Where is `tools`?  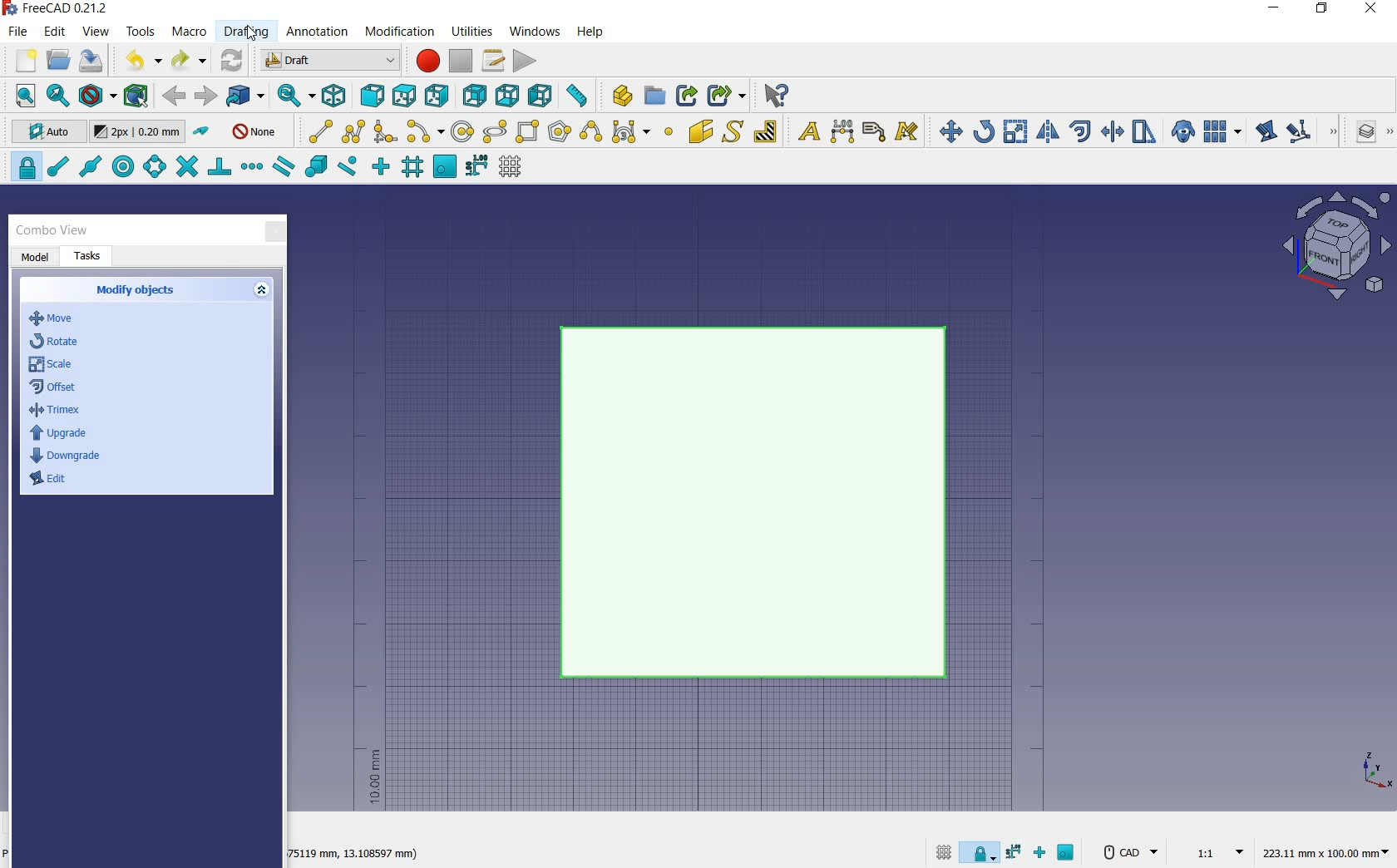
tools is located at coordinates (141, 31).